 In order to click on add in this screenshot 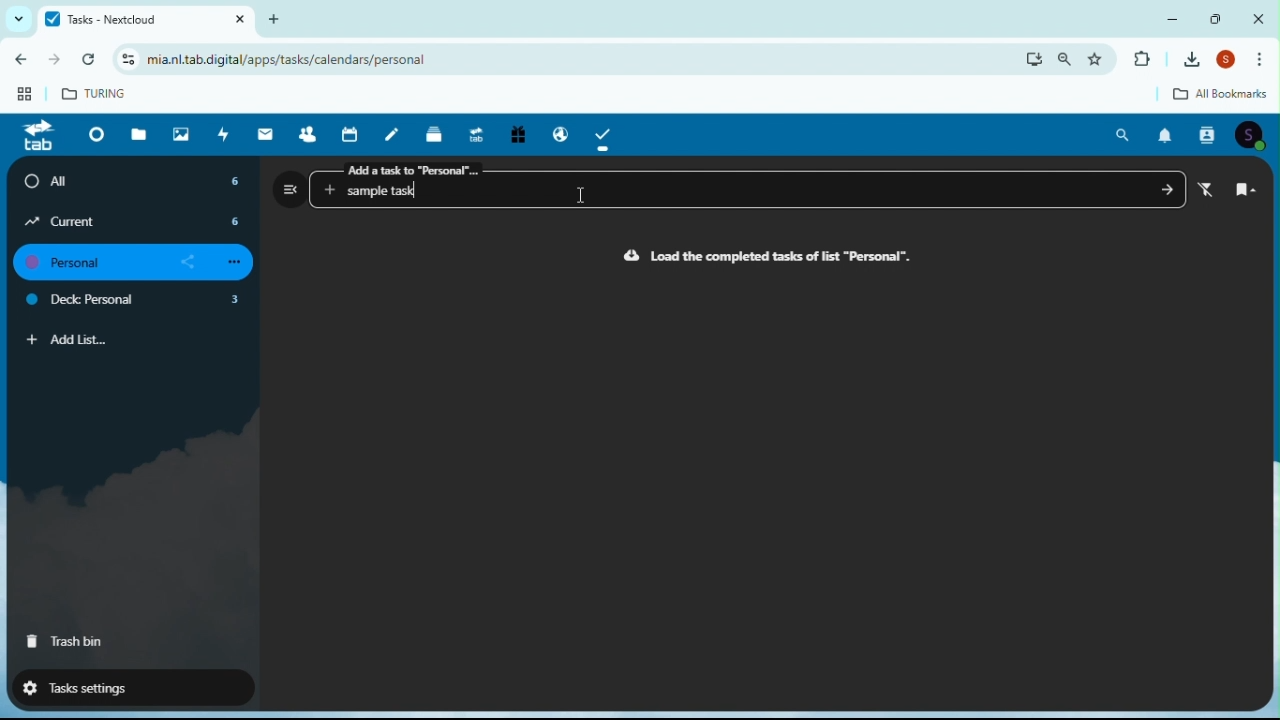, I will do `click(281, 18)`.